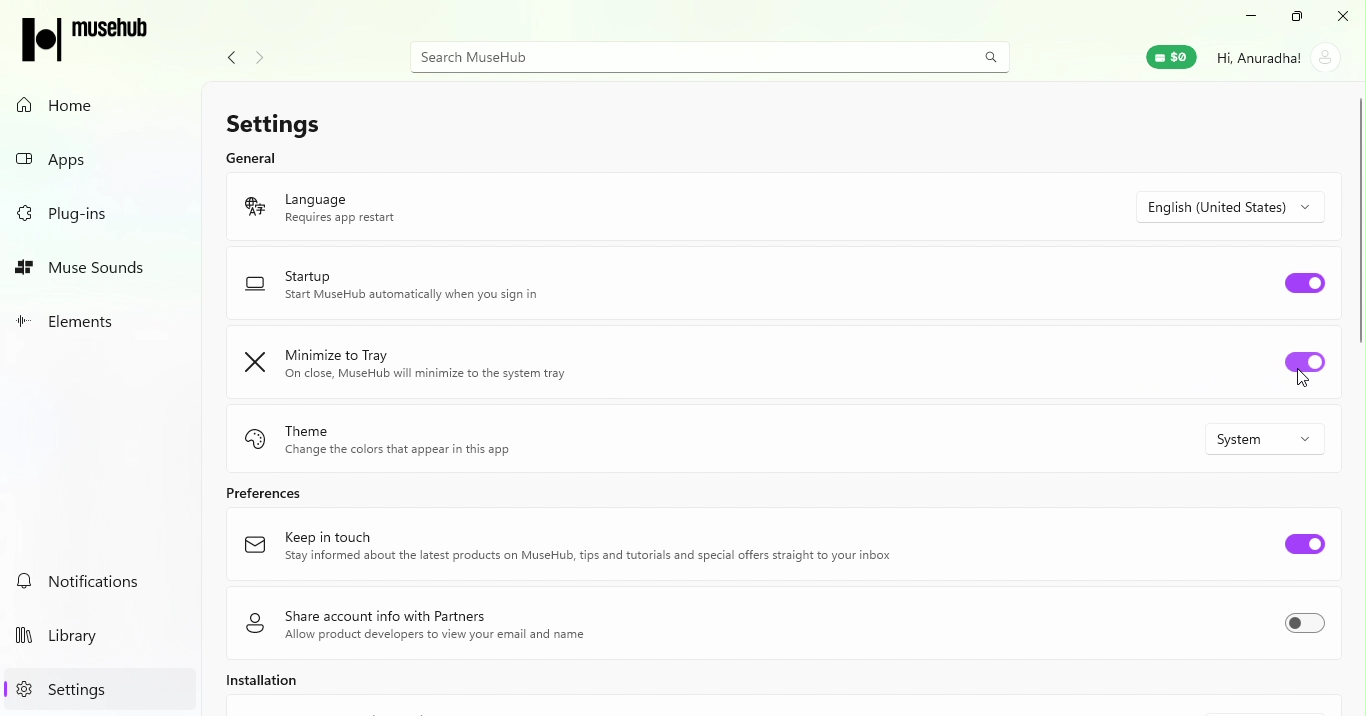  I want to click on Toggle, so click(1311, 623).